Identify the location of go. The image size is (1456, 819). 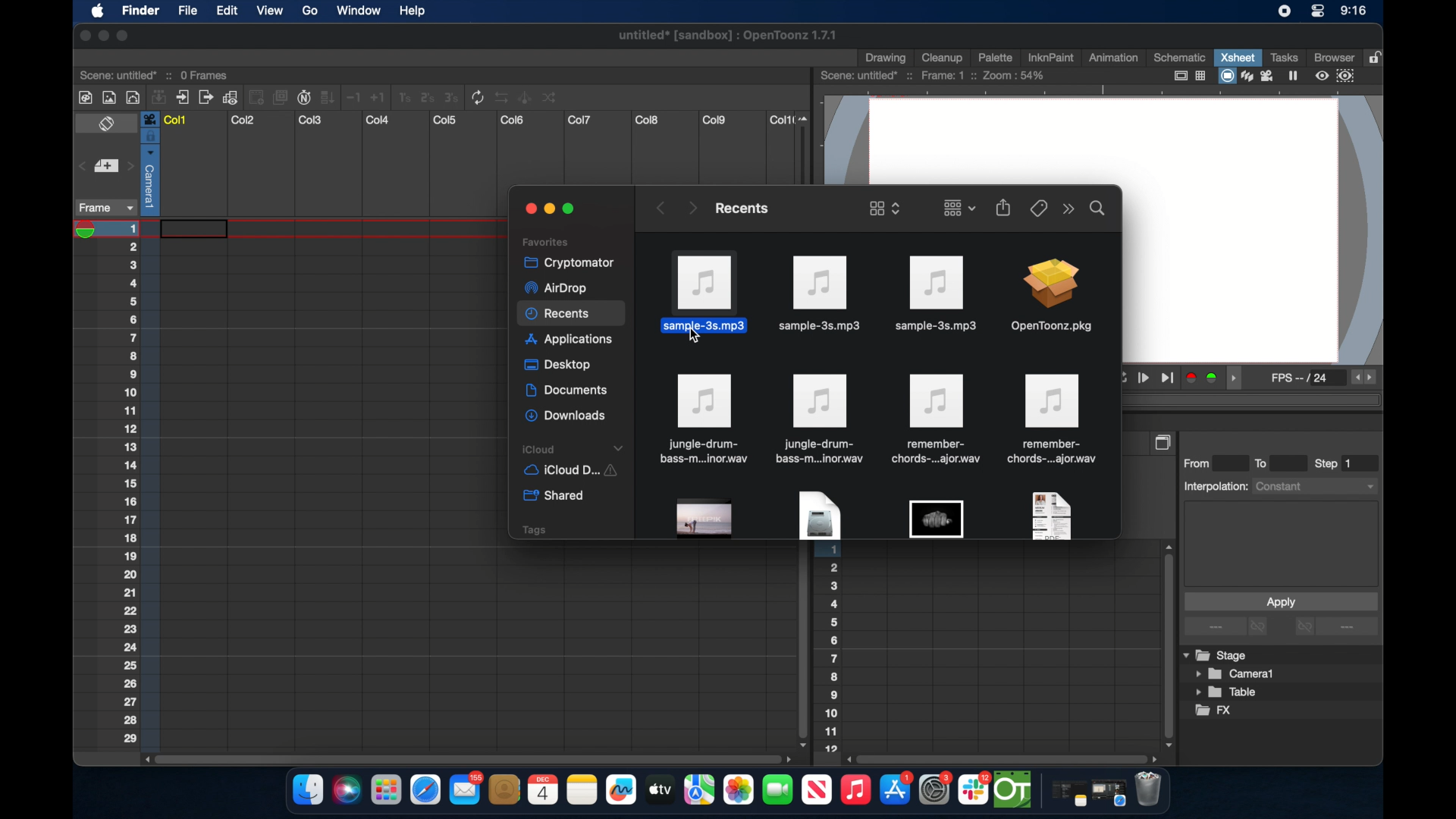
(309, 11).